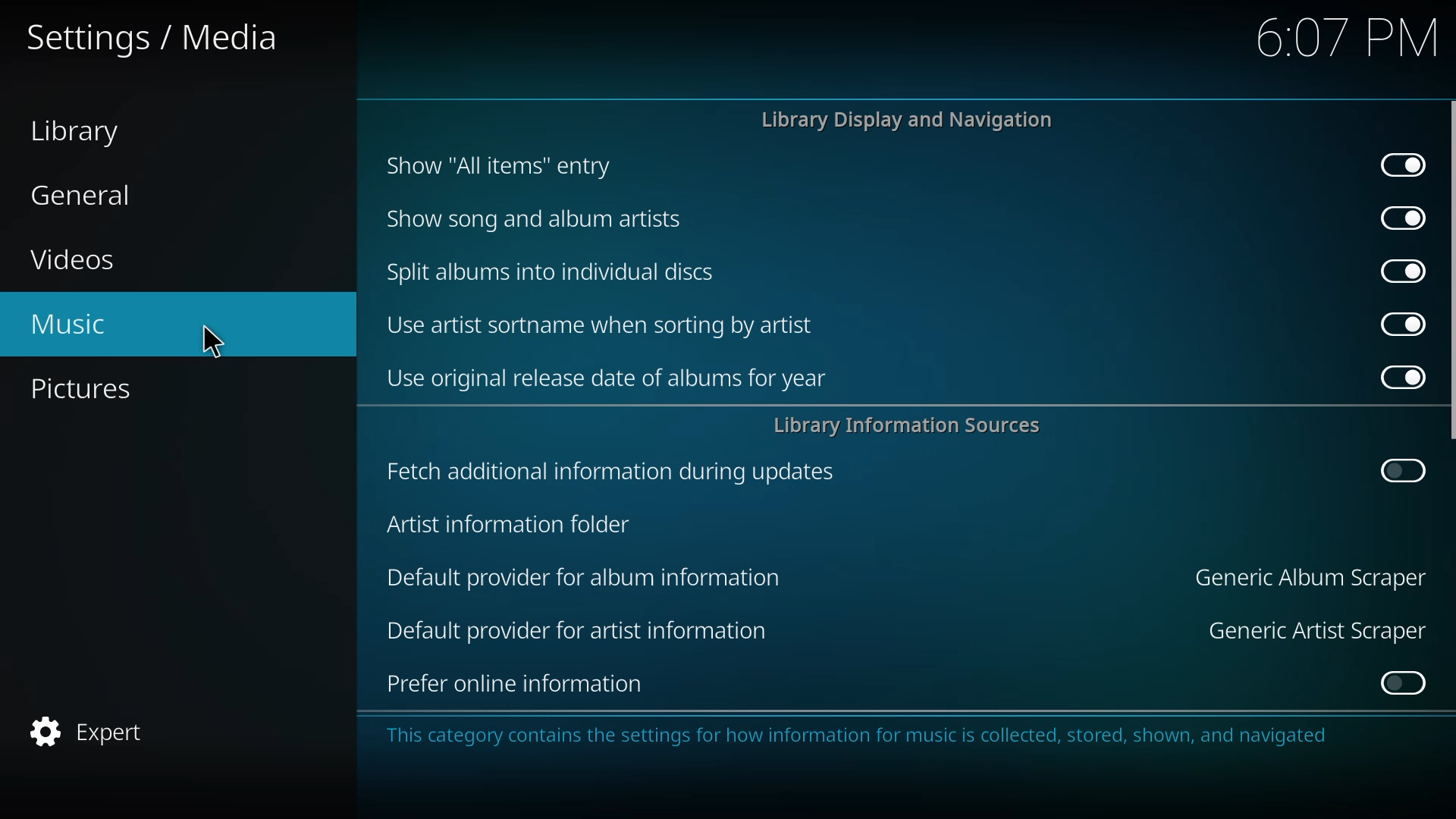 This screenshot has width=1456, height=819. Describe the element at coordinates (100, 729) in the screenshot. I see `expert` at that location.